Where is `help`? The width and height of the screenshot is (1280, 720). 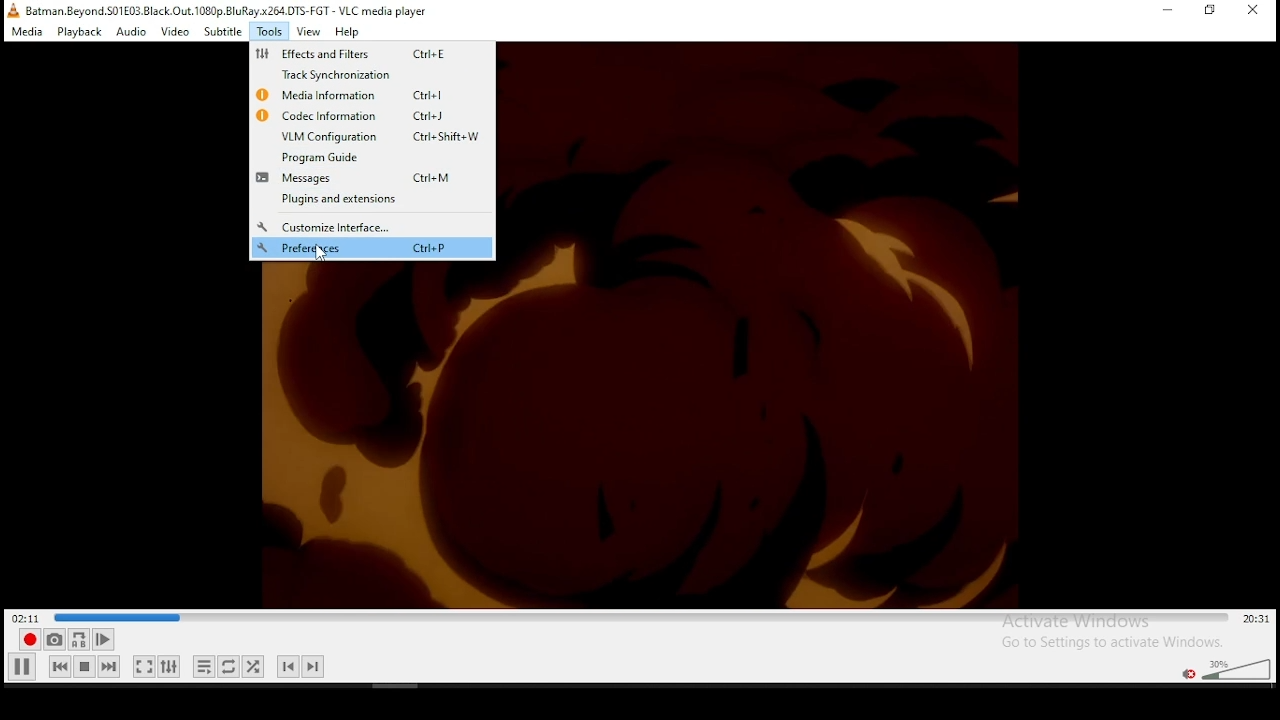 help is located at coordinates (347, 32).